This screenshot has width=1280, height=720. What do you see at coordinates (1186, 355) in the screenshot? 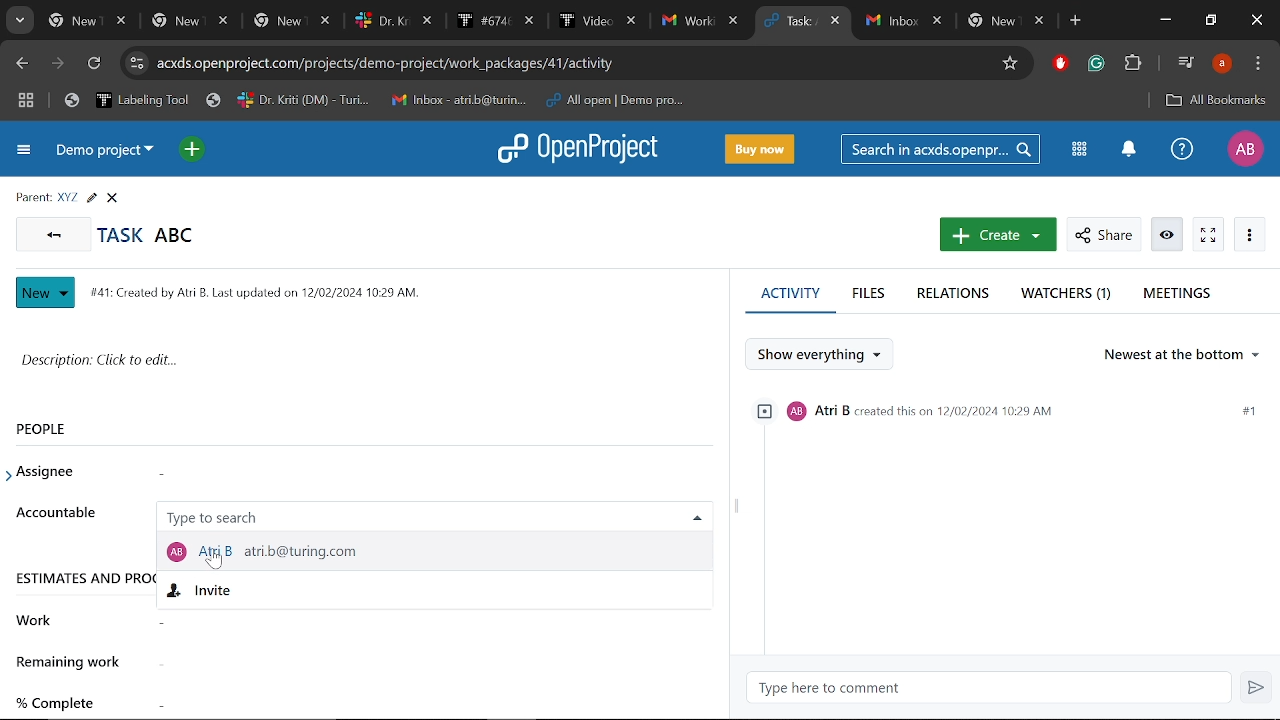
I see `Ordering` at bounding box center [1186, 355].